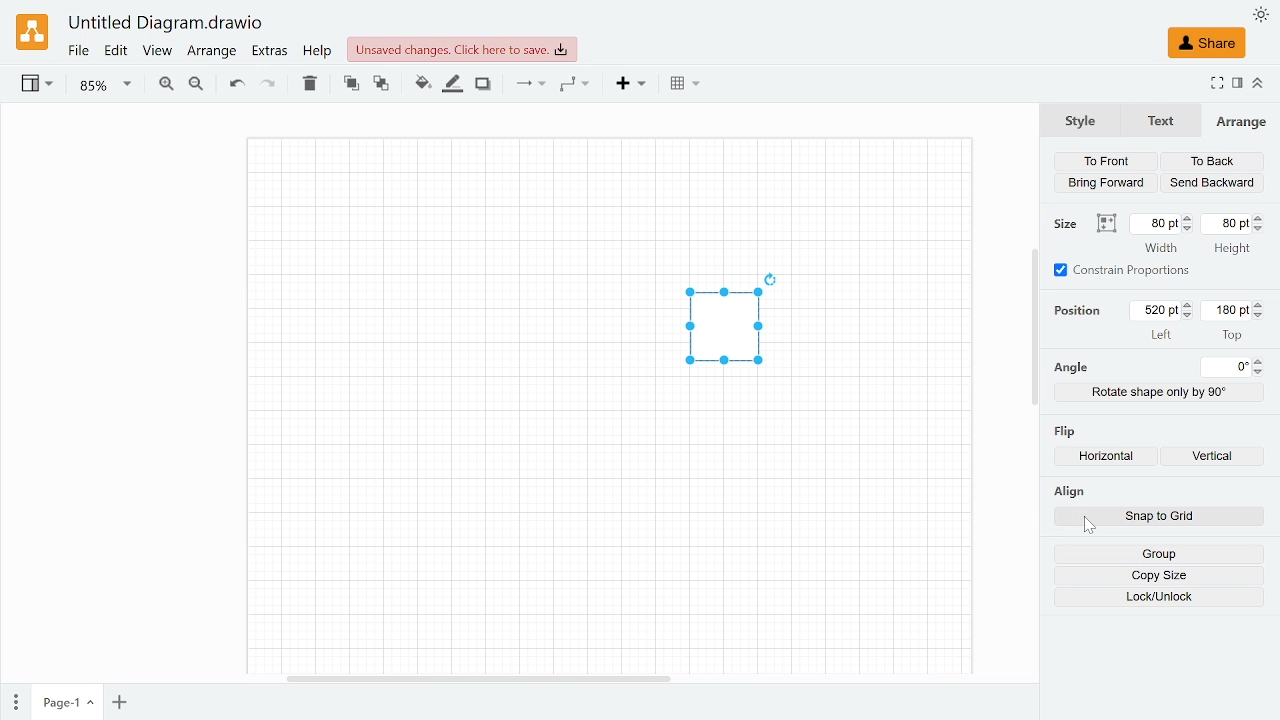  I want to click on Fill color, so click(422, 84).